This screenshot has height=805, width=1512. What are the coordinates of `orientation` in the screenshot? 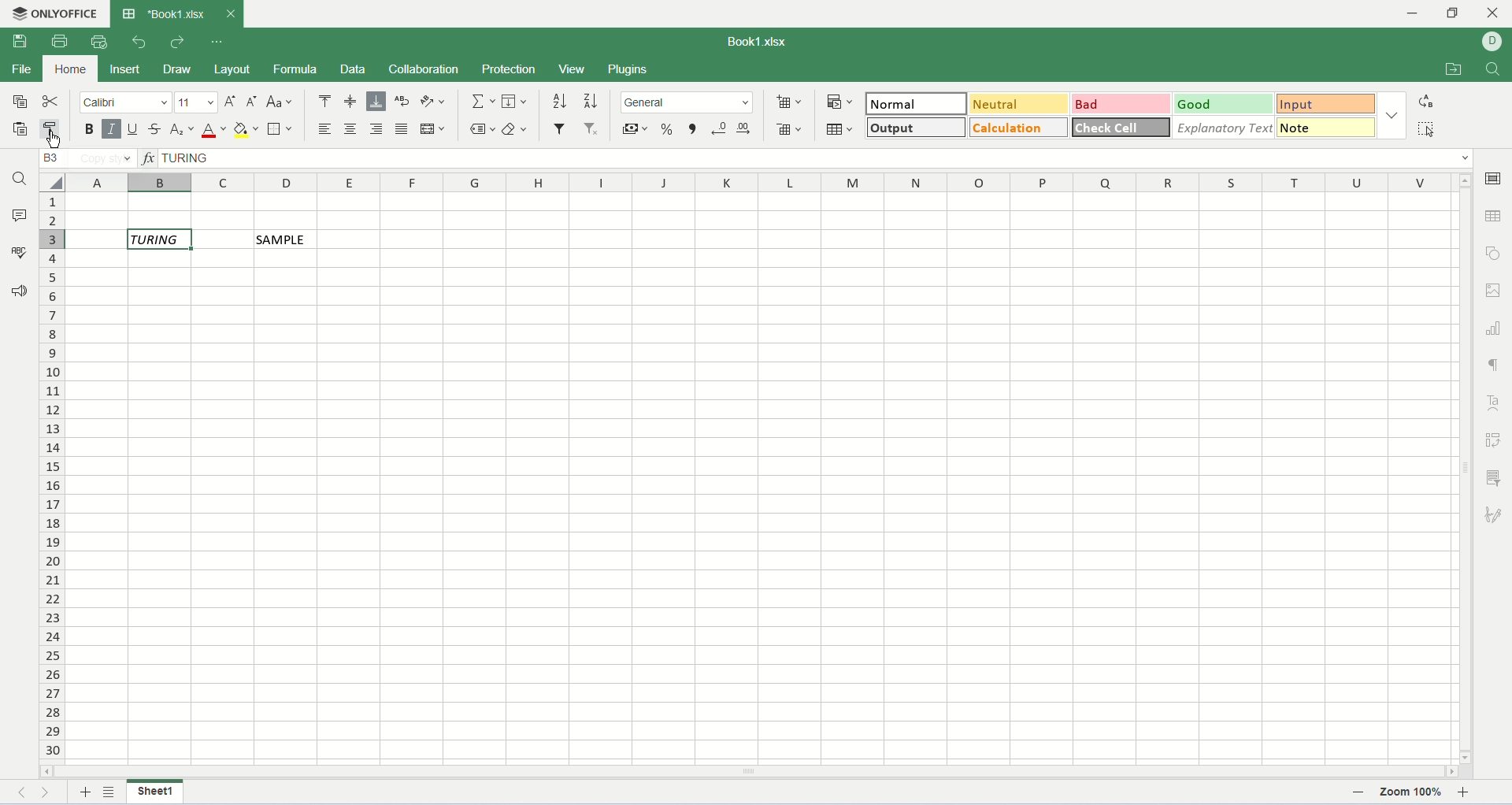 It's located at (433, 102).